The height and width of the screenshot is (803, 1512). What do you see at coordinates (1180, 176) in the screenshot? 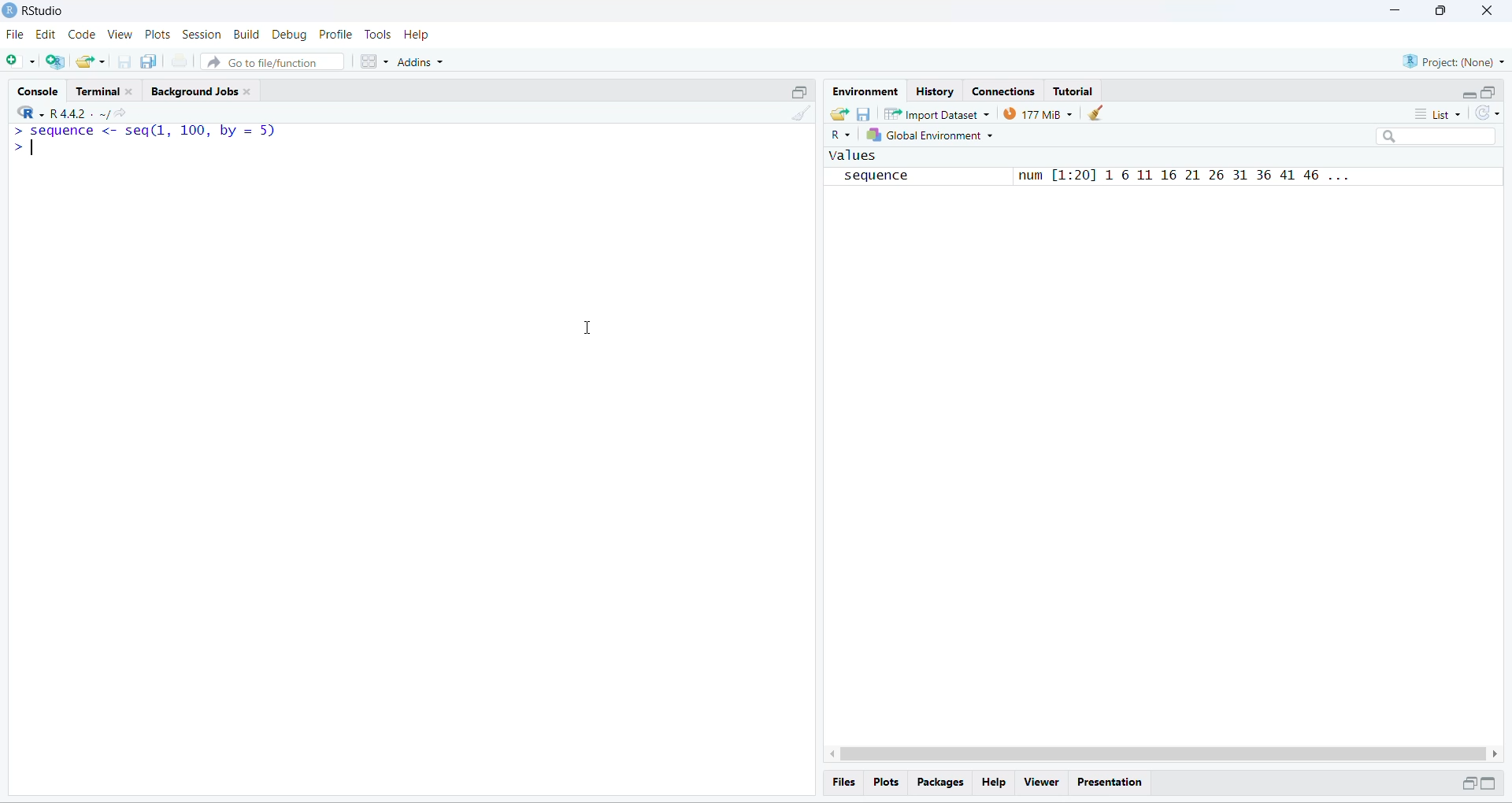
I see `num [1:20] 1 6 11 16 21 26 31 36 41 46 ...` at bounding box center [1180, 176].